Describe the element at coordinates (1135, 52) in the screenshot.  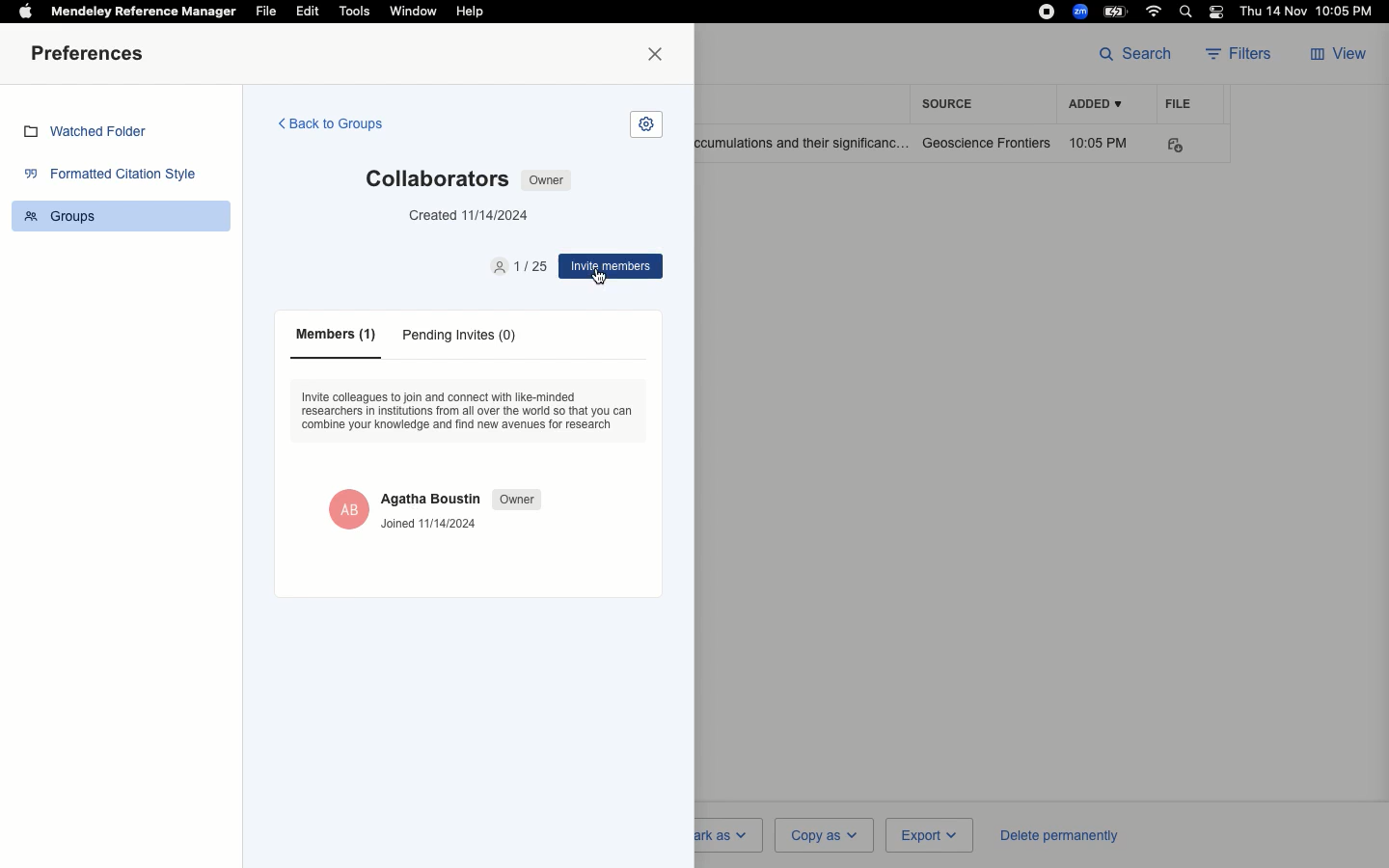
I see `Search` at that location.